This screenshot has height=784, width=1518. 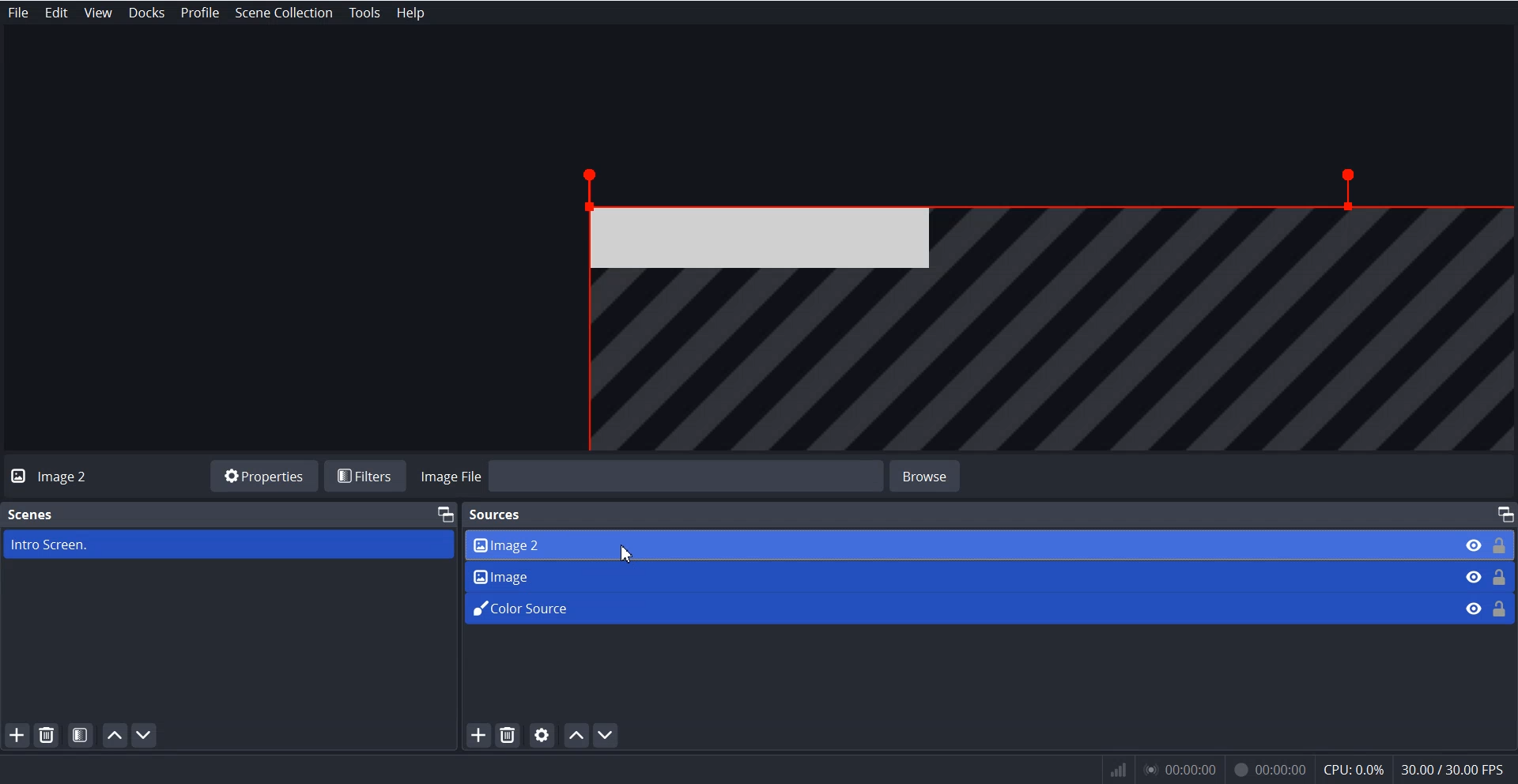 What do you see at coordinates (1504, 514) in the screenshot?
I see `Maximize` at bounding box center [1504, 514].